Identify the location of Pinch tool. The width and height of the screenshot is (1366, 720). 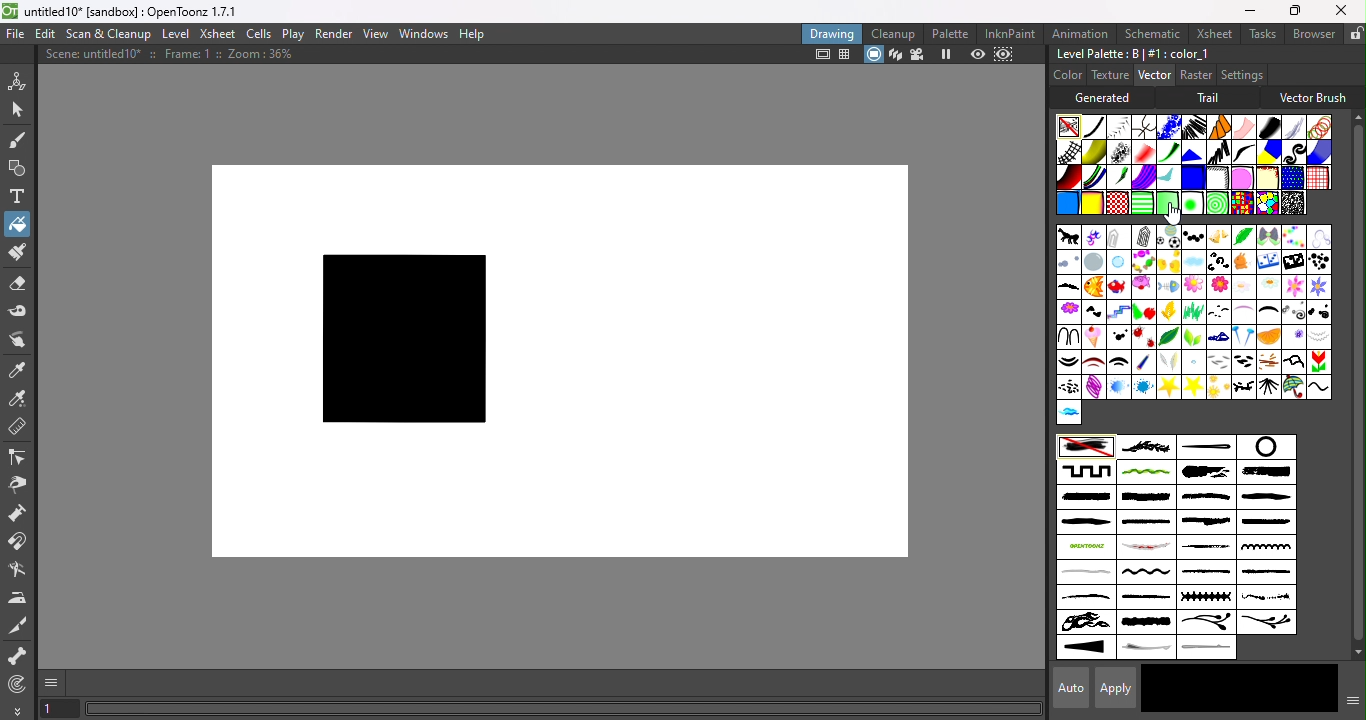
(21, 484).